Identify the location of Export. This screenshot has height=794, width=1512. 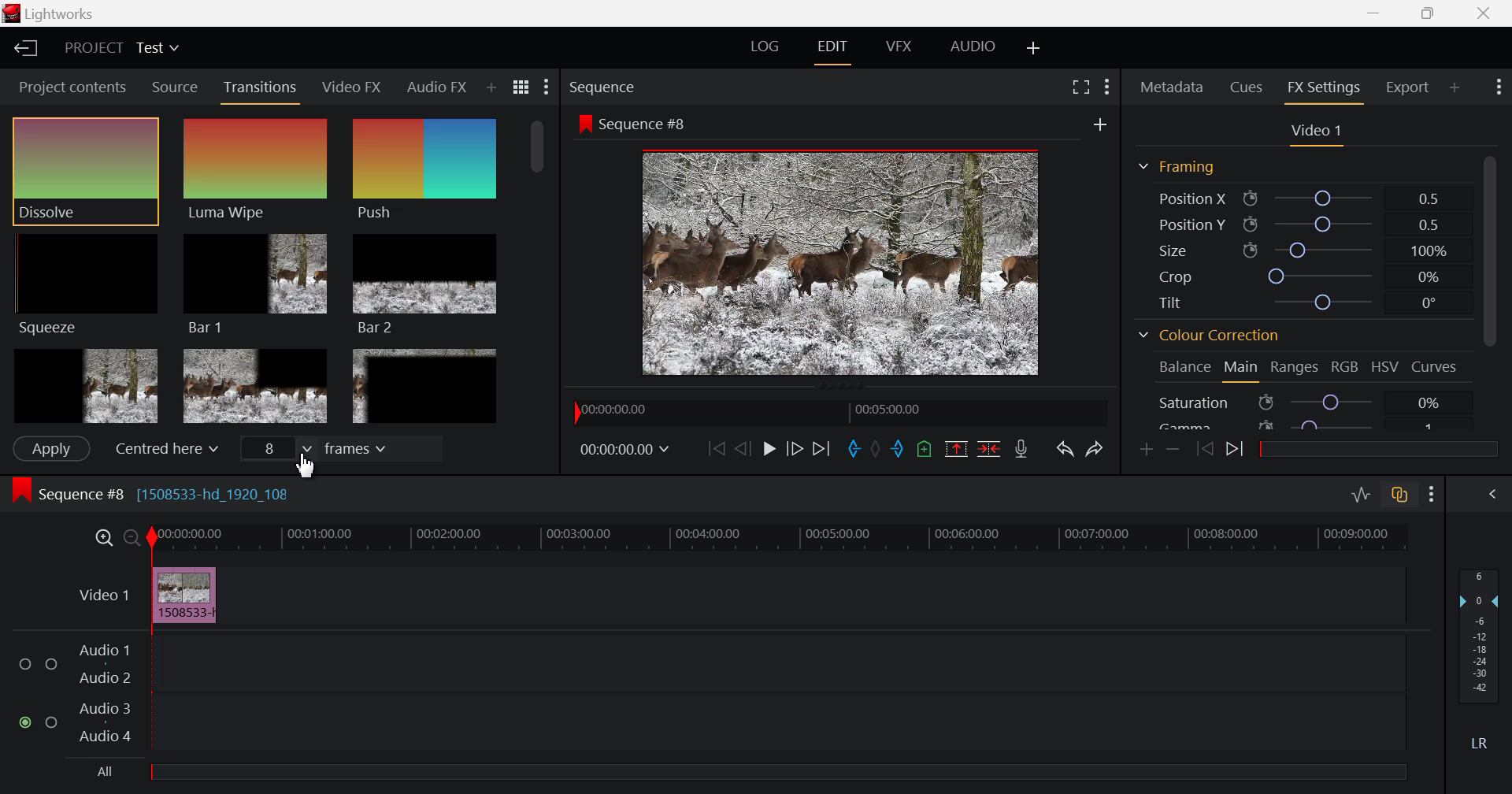
(1407, 84).